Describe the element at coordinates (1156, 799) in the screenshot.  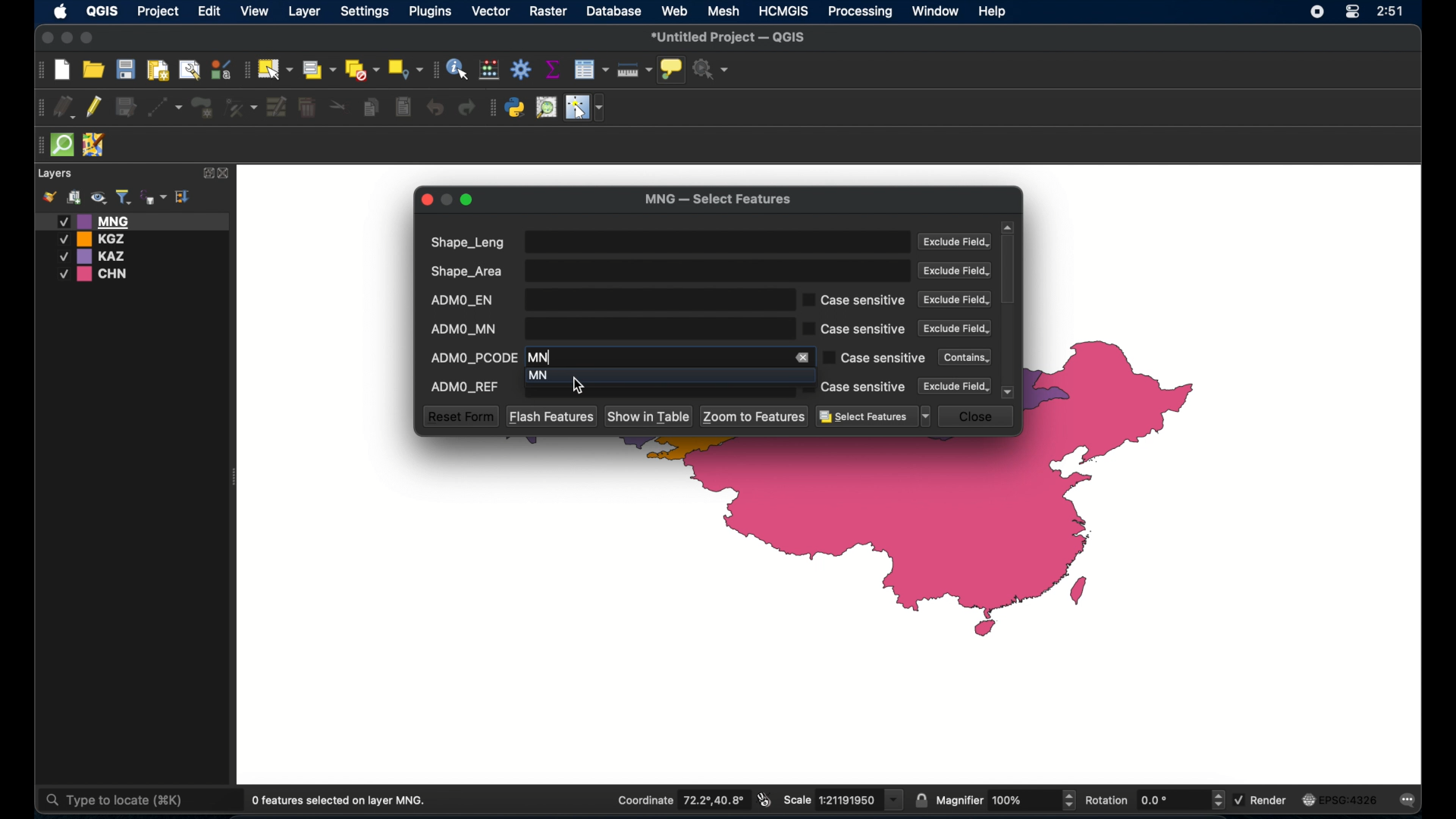
I see `rotation 0.0` at that location.